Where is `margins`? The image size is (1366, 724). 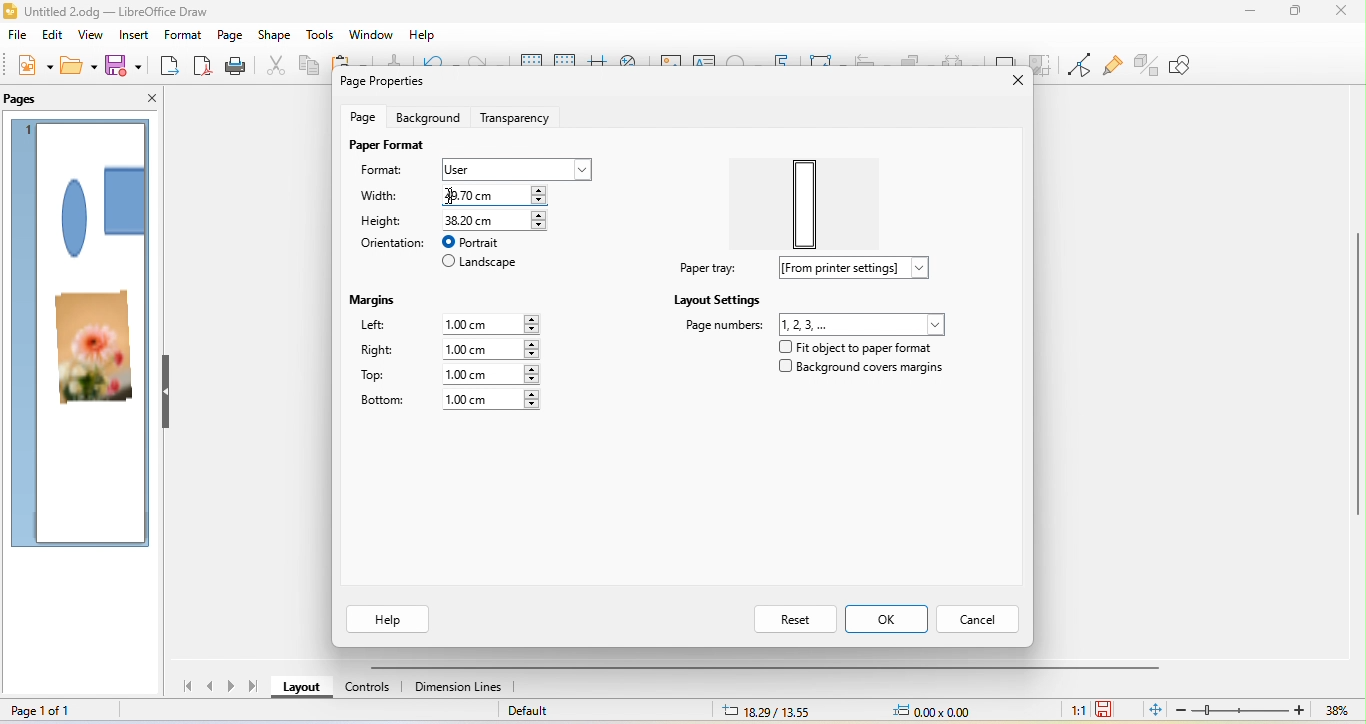 margins is located at coordinates (375, 301).